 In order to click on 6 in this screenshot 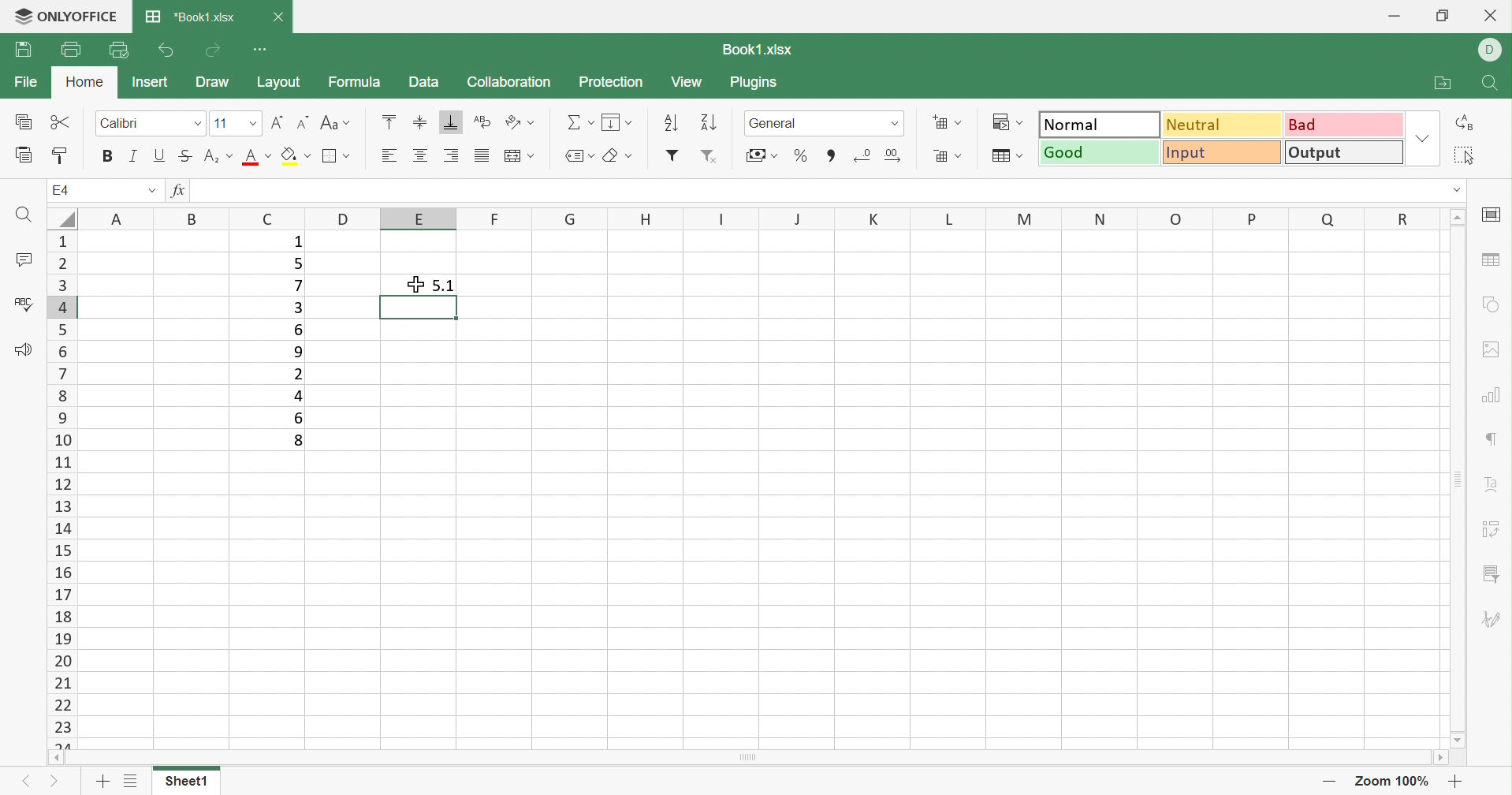, I will do `click(296, 328)`.